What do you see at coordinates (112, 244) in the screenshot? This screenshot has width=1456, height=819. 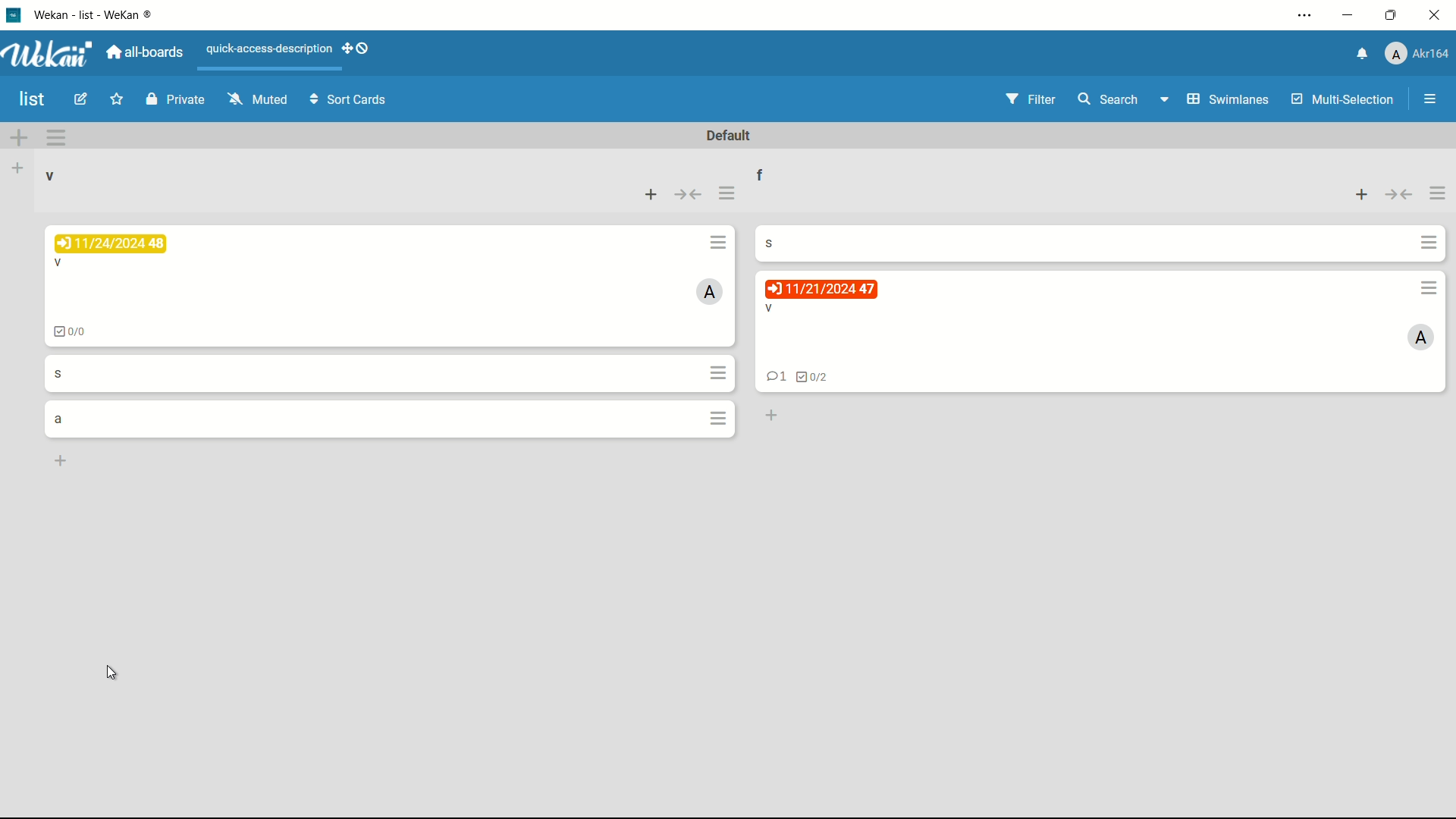 I see `due date changed` at bounding box center [112, 244].